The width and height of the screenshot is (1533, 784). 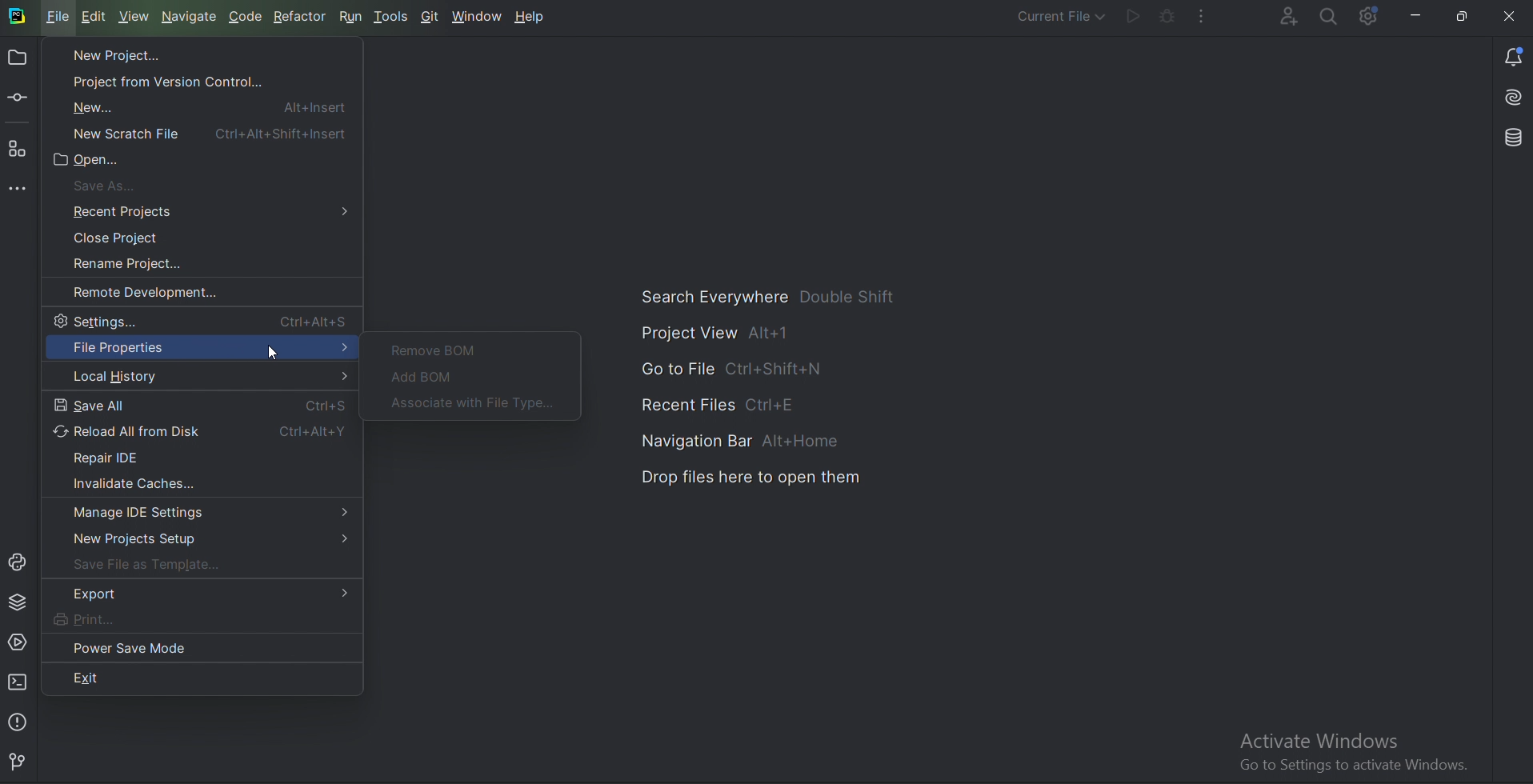 I want to click on Terminal, so click(x=18, y=682).